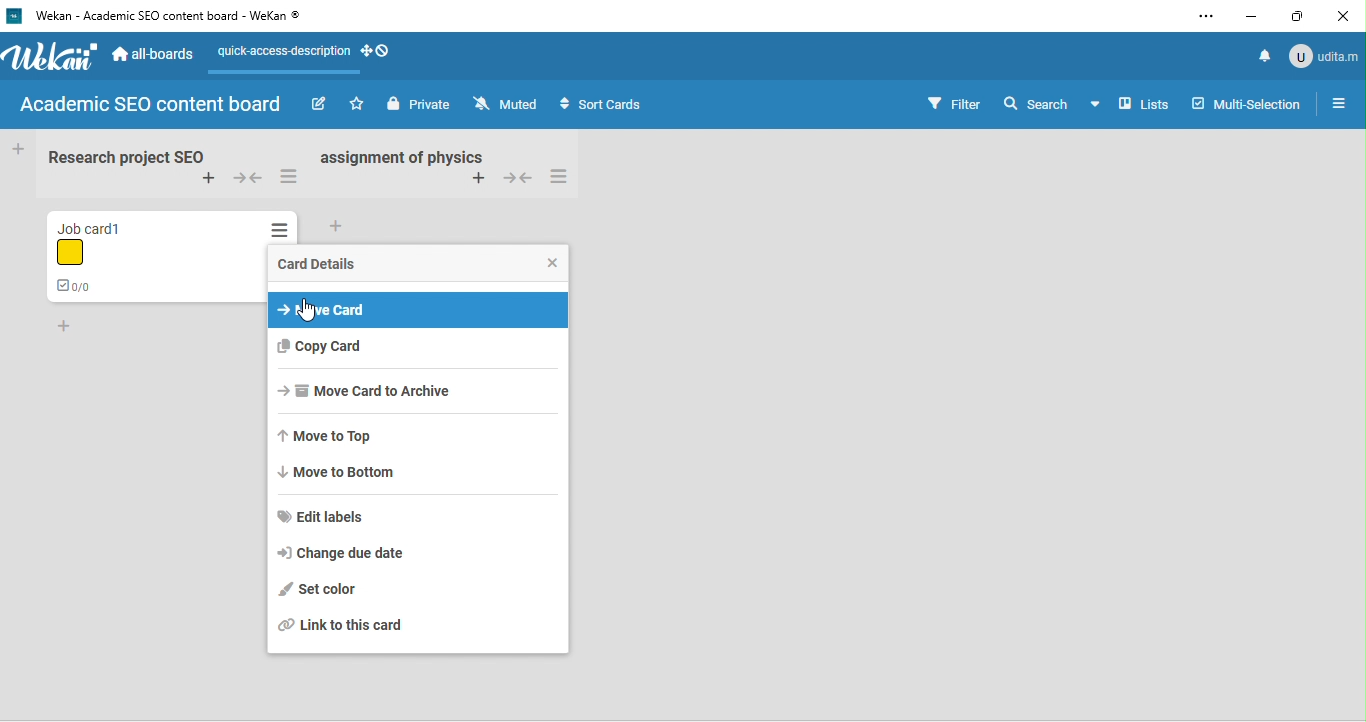 The image size is (1366, 722). What do you see at coordinates (342, 436) in the screenshot?
I see `move to top` at bounding box center [342, 436].